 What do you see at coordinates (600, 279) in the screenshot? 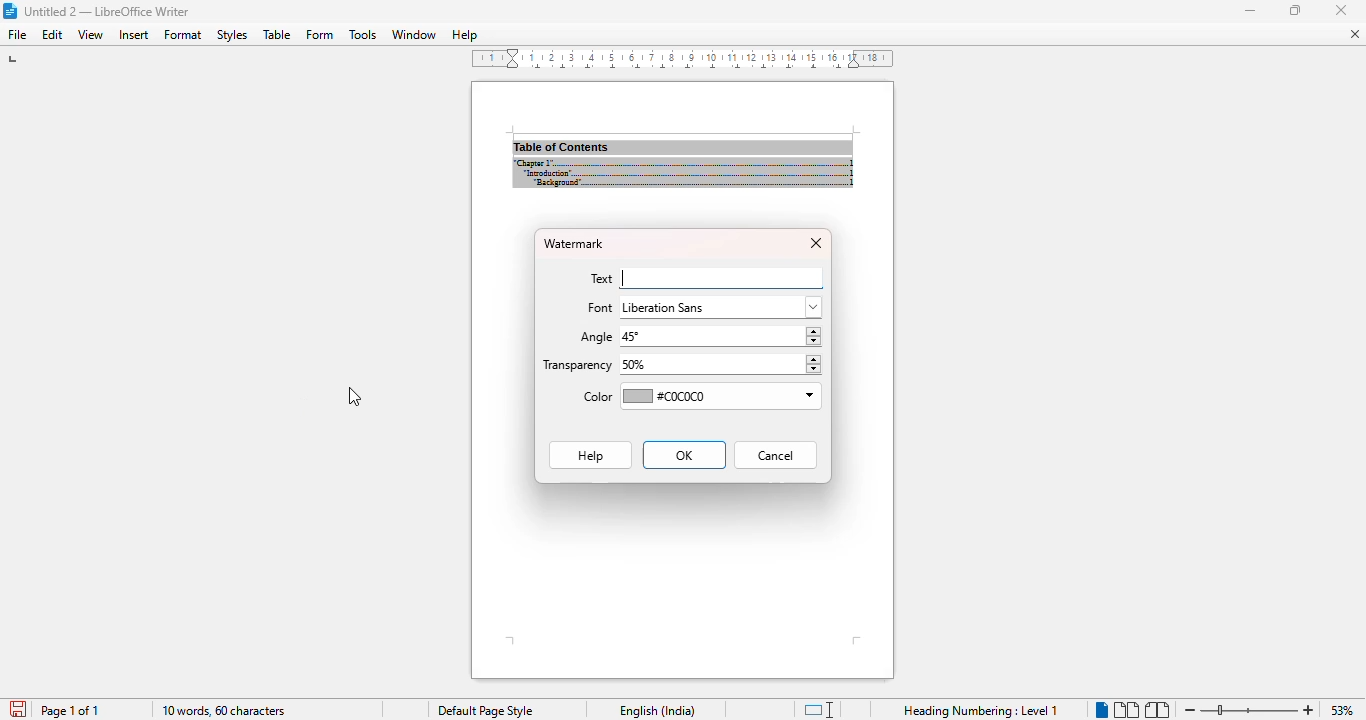
I see `text` at bounding box center [600, 279].